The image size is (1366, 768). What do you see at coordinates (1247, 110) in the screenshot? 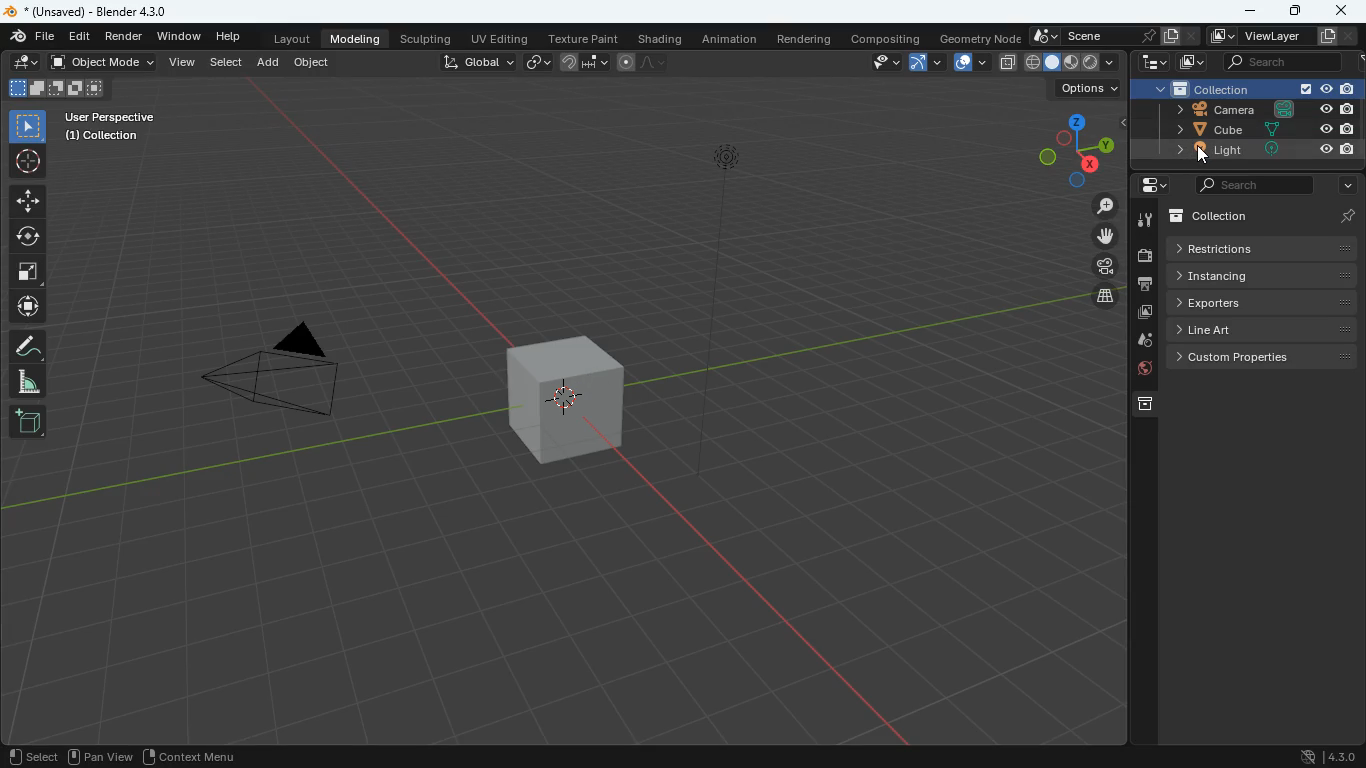
I see `camera` at bounding box center [1247, 110].